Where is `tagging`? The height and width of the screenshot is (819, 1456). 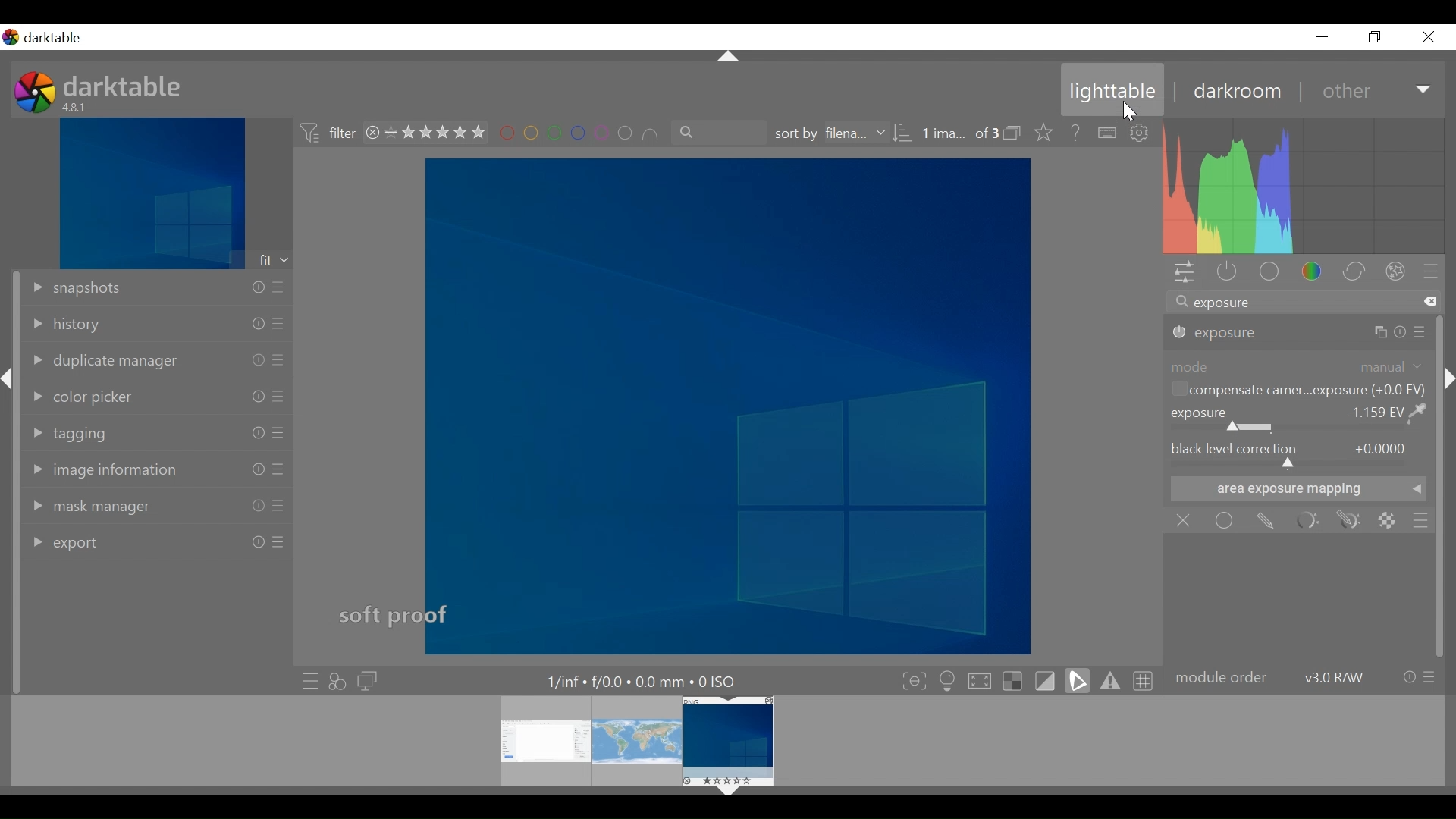
tagging is located at coordinates (71, 434).